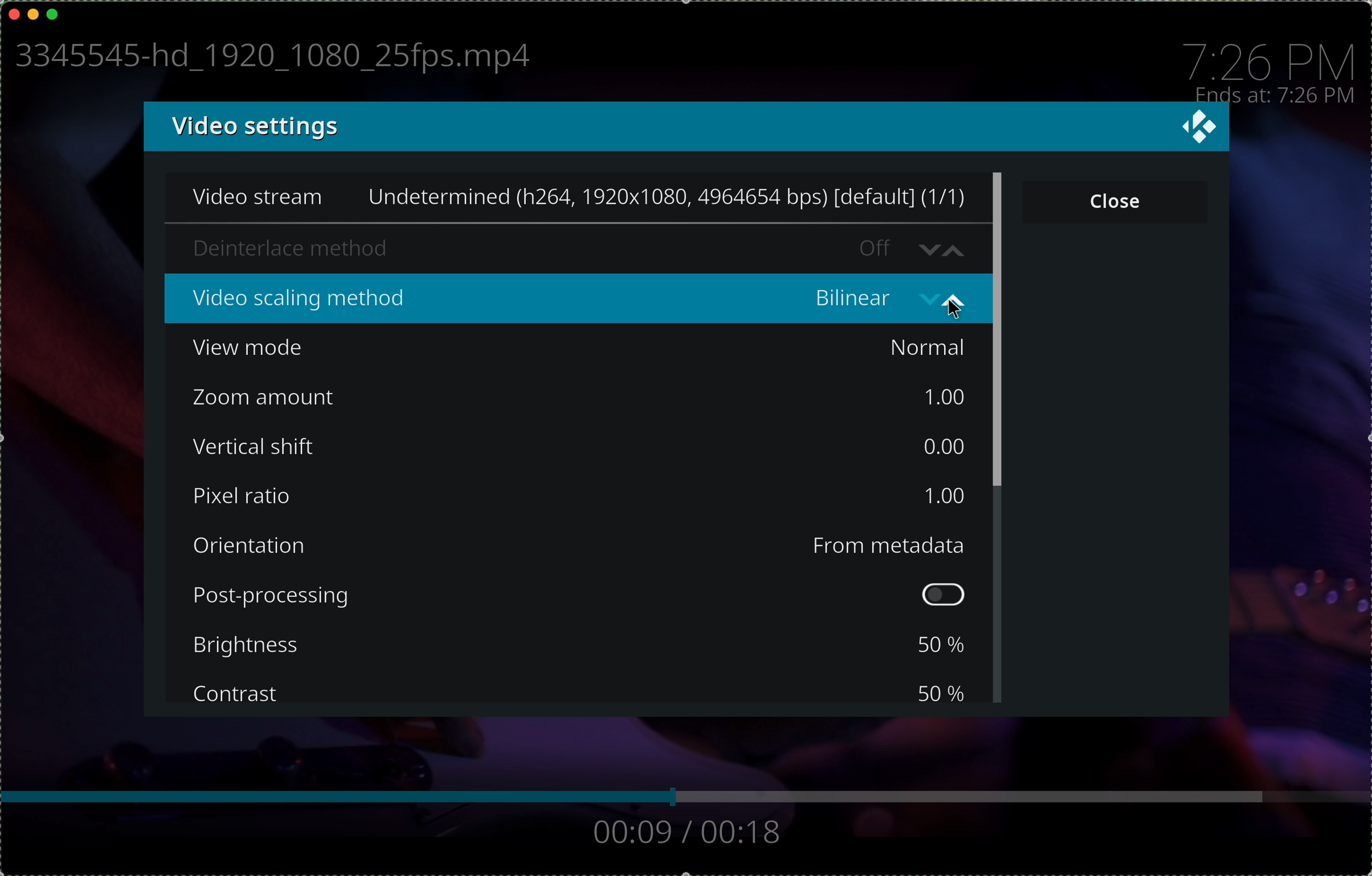 The image size is (1372, 876). I want to click on pixel ratio, so click(241, 497).